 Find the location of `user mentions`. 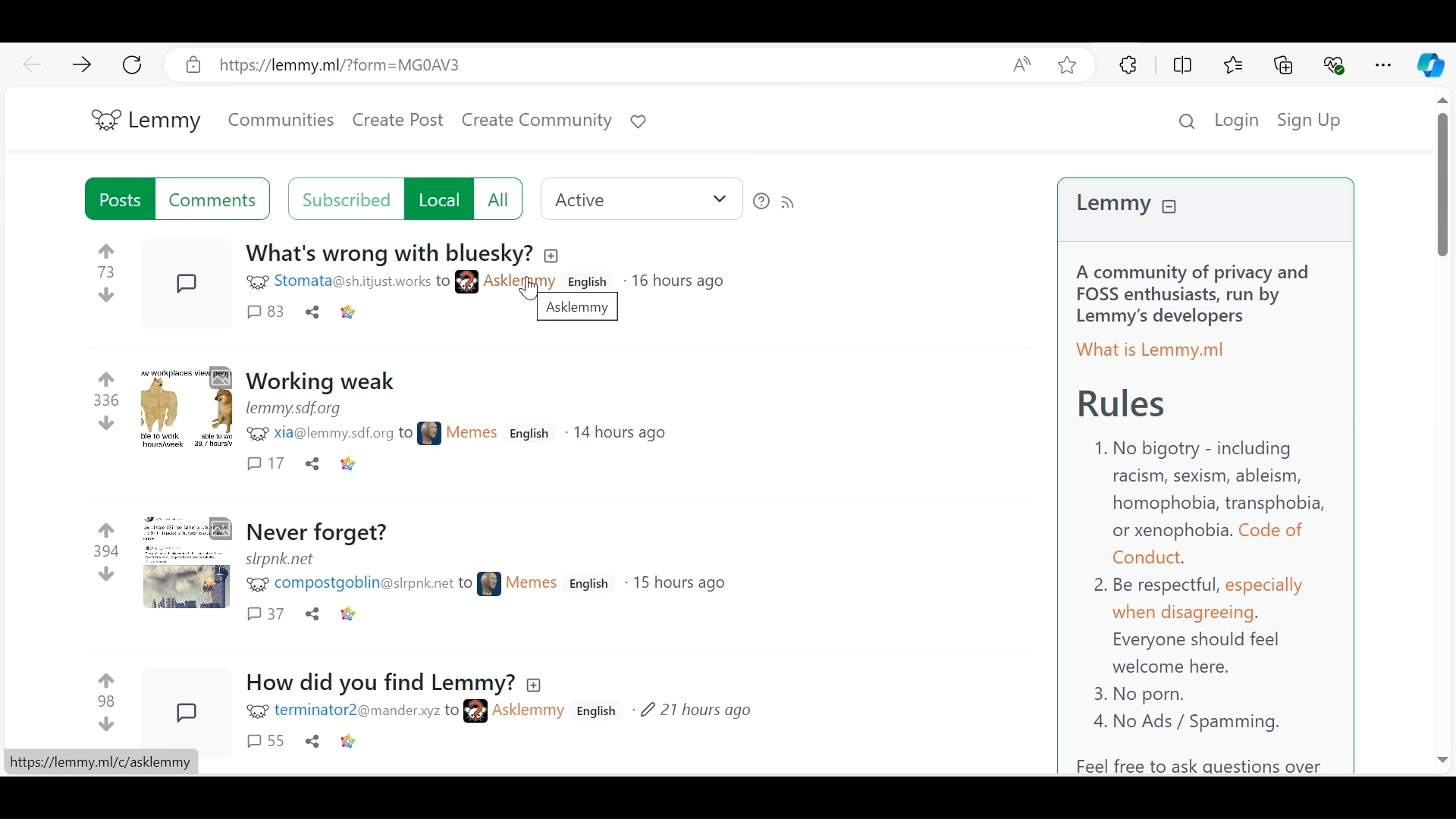

user mentions is located at coordinates (407, 711).